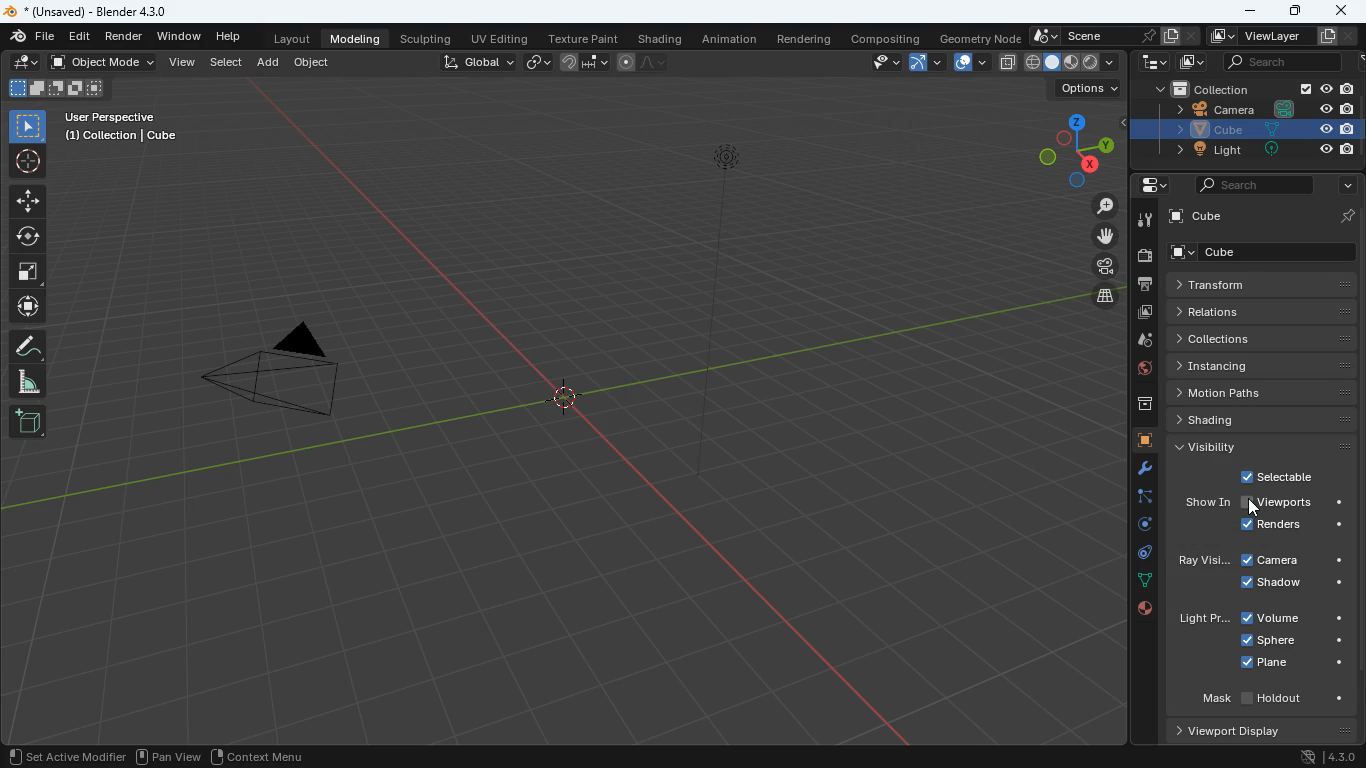 The width and height of the screenshot is (1366, 768). What do you see at coordinates (26, 306) in the screenshot?
I see `move` at bounding box center [26, 306].